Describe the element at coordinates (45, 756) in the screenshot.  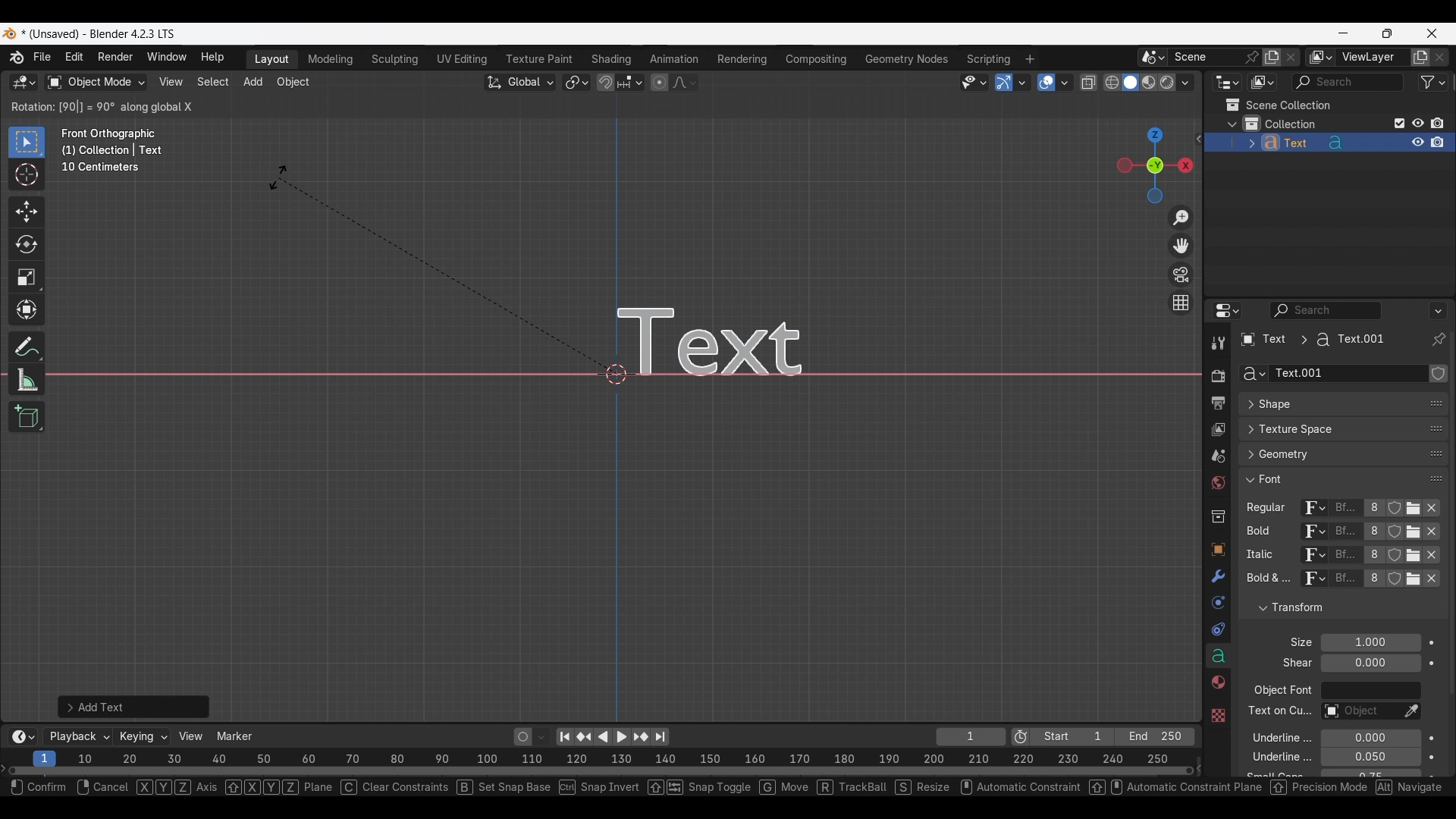
I see `Current frame, highlighted` at that location.